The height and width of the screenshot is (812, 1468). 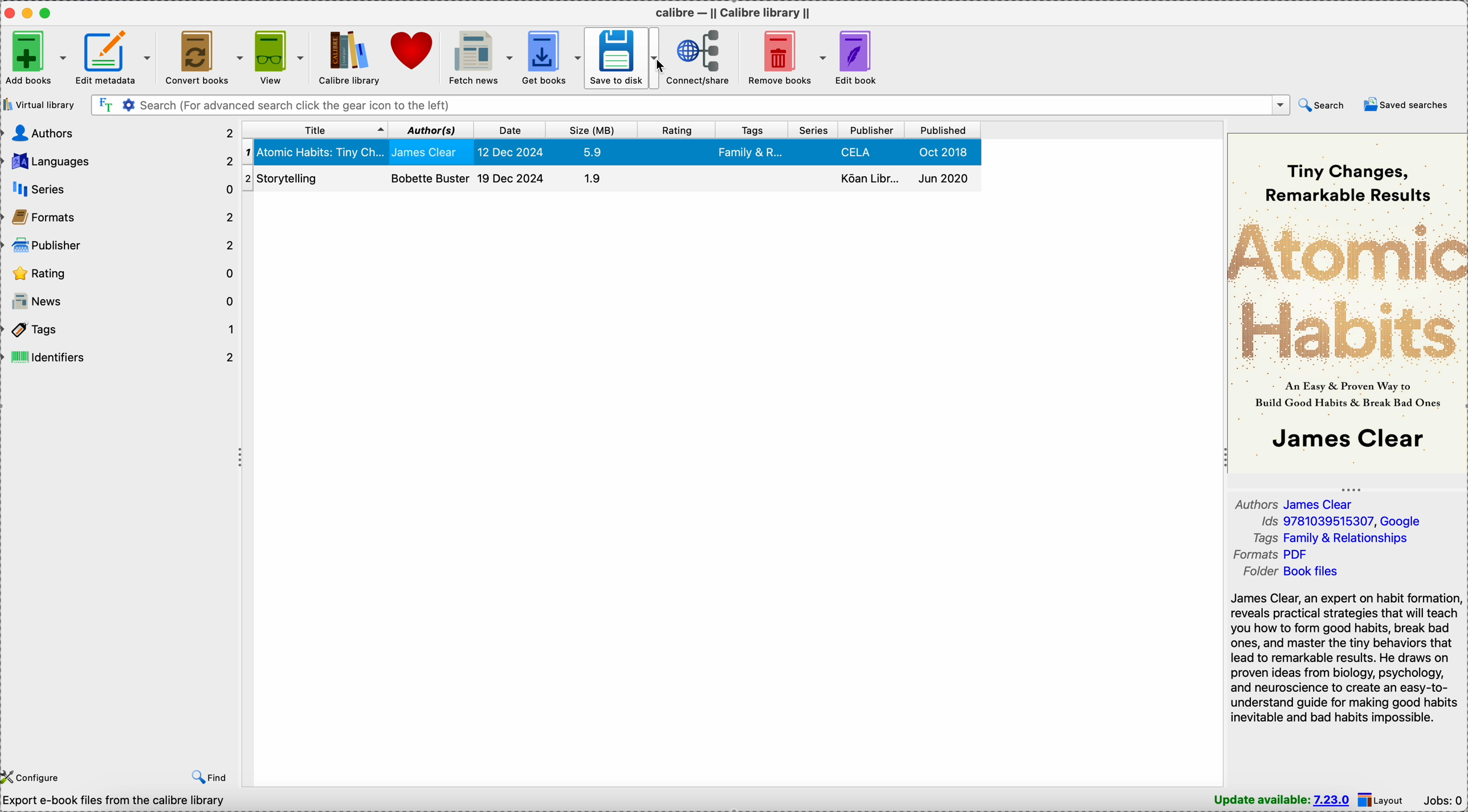 What do you see at coordinates (871, 130) in the screenshot?
I see `publisher` at bounding box center [871, 130].